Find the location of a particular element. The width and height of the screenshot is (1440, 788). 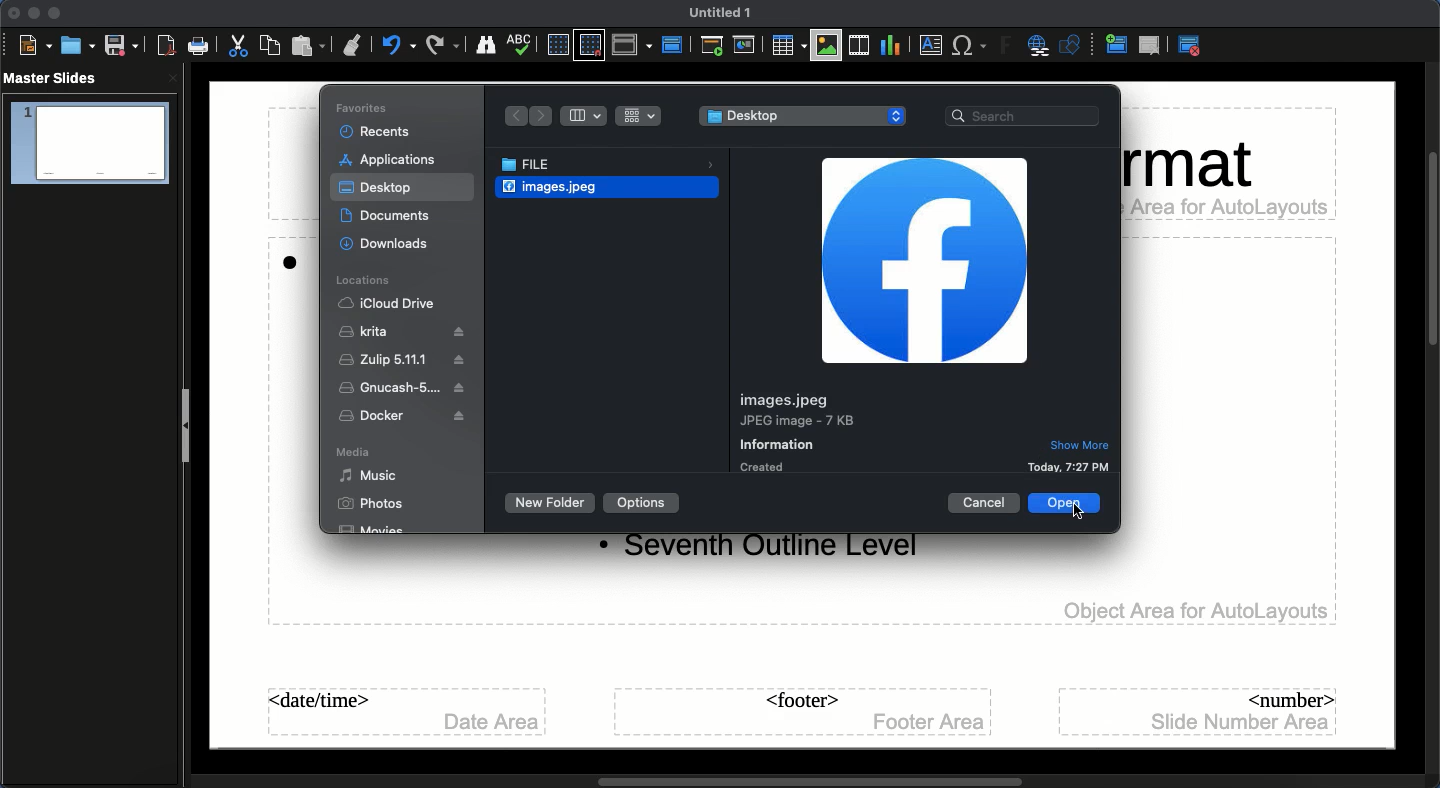

Export as PDF is located at coordinates (166, 47).